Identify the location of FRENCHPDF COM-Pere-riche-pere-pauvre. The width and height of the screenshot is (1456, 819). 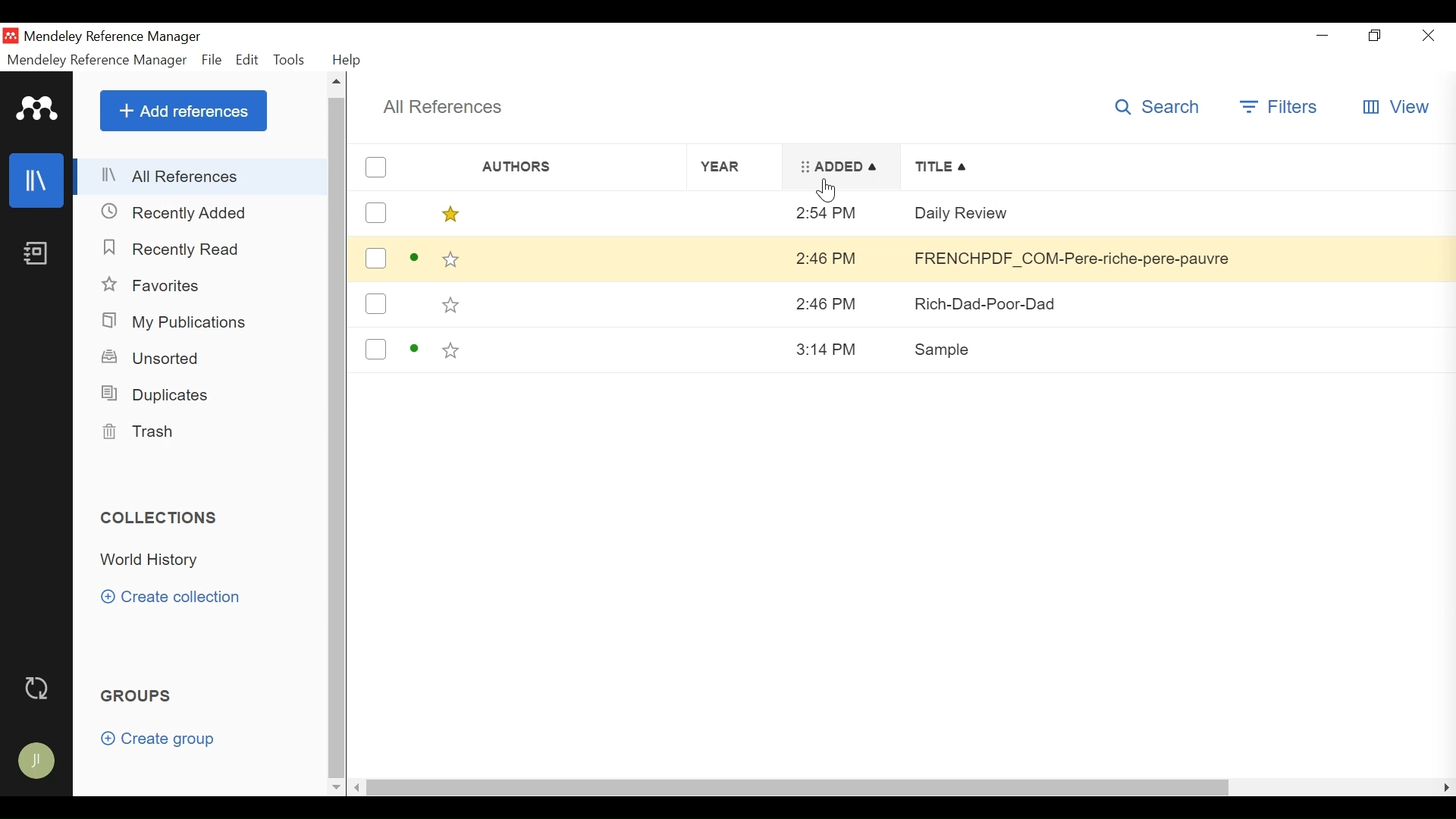
(1178, 259).